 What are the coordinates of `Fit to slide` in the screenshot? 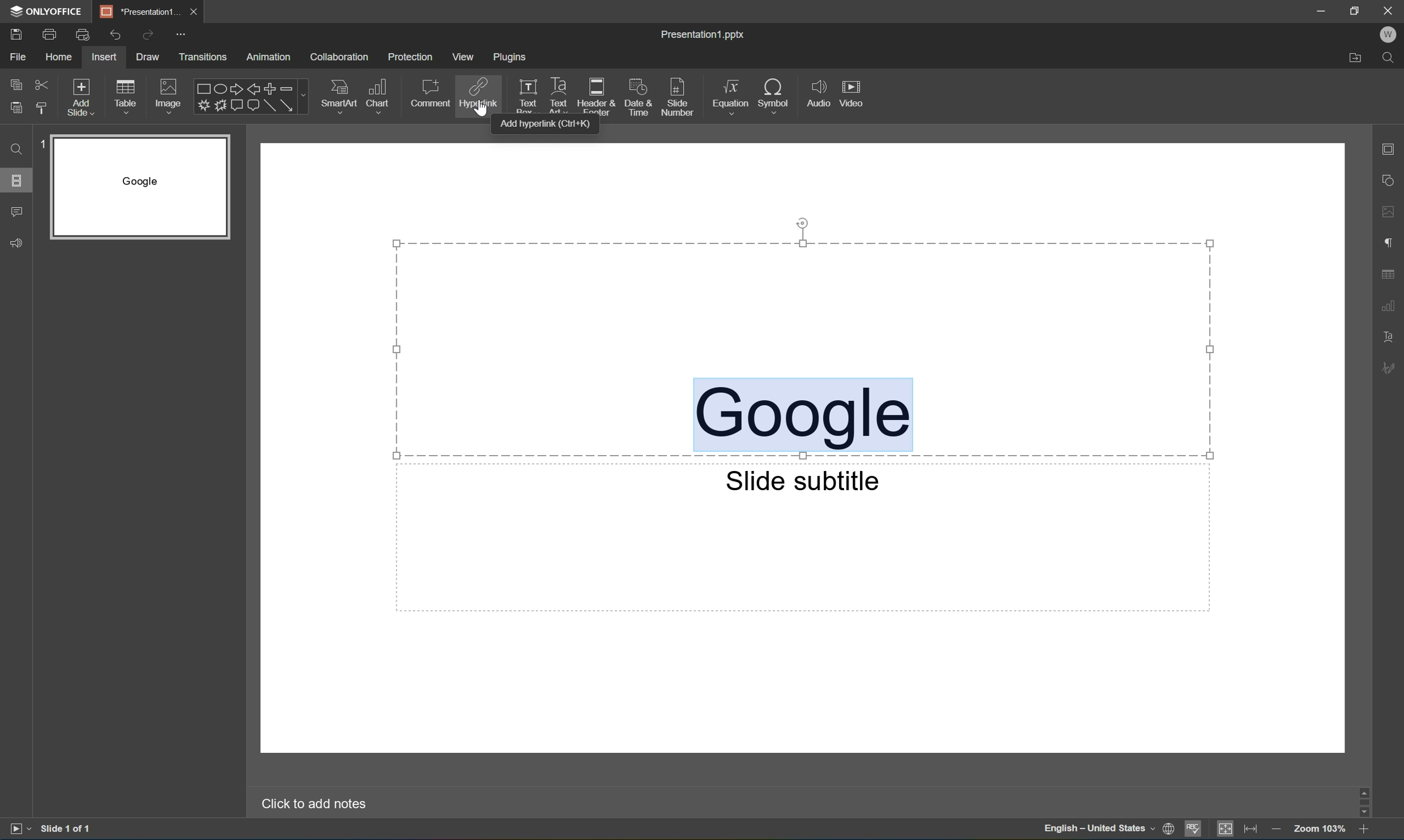 It's located at (1228, 829).